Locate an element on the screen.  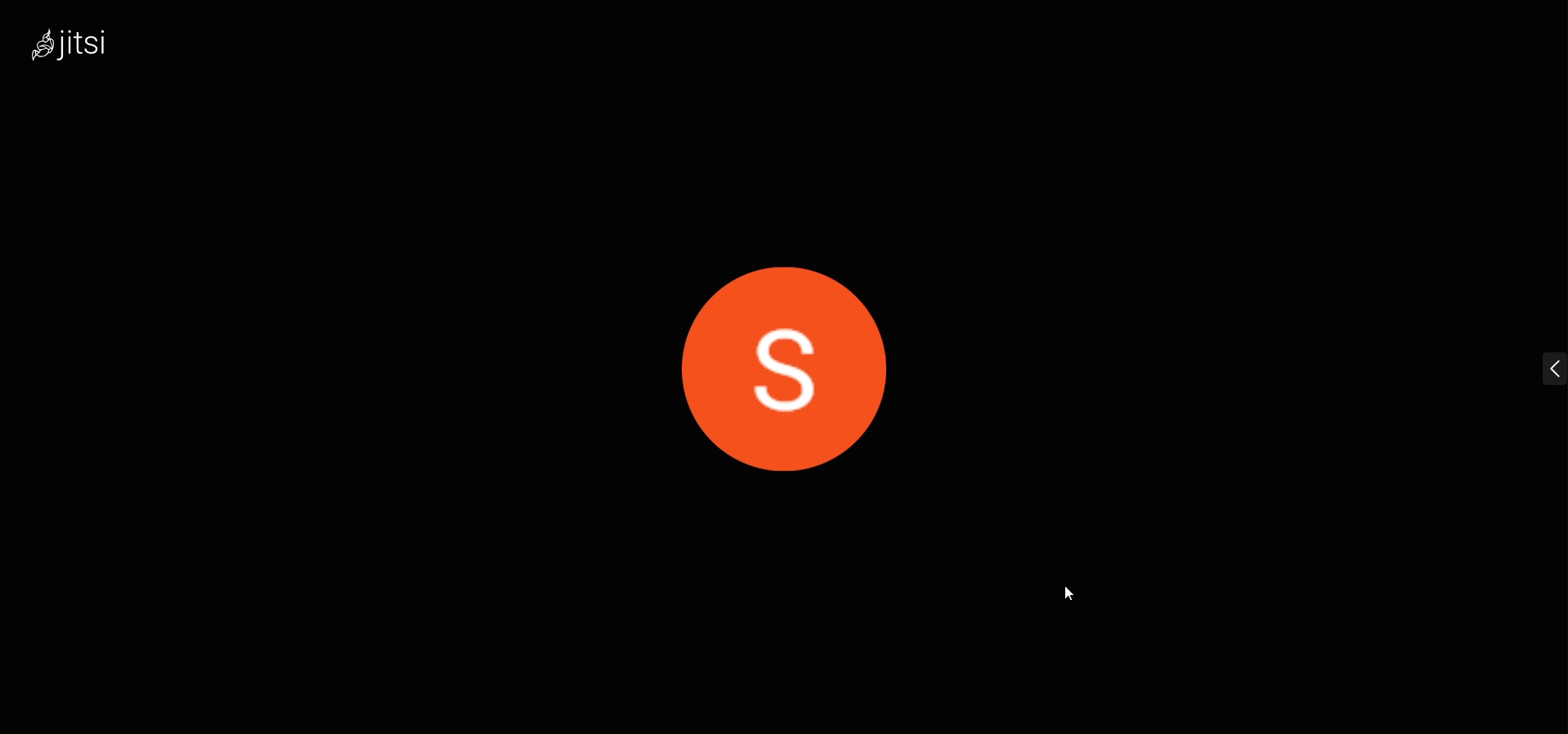
logo is located at coordinates (85, 50).